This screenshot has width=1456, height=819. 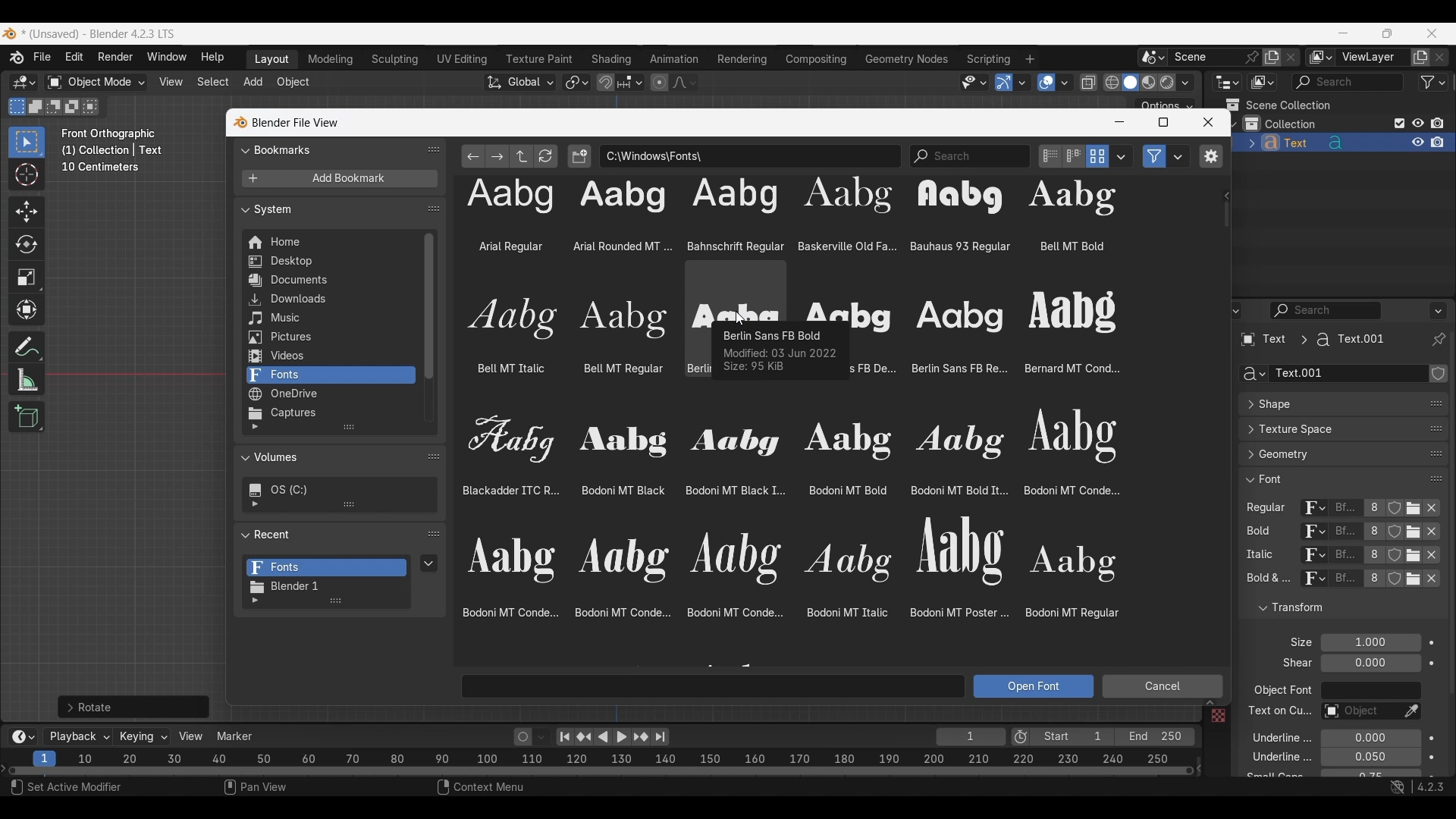 I want to click on Downloads folder, so click(x=329, y=300).